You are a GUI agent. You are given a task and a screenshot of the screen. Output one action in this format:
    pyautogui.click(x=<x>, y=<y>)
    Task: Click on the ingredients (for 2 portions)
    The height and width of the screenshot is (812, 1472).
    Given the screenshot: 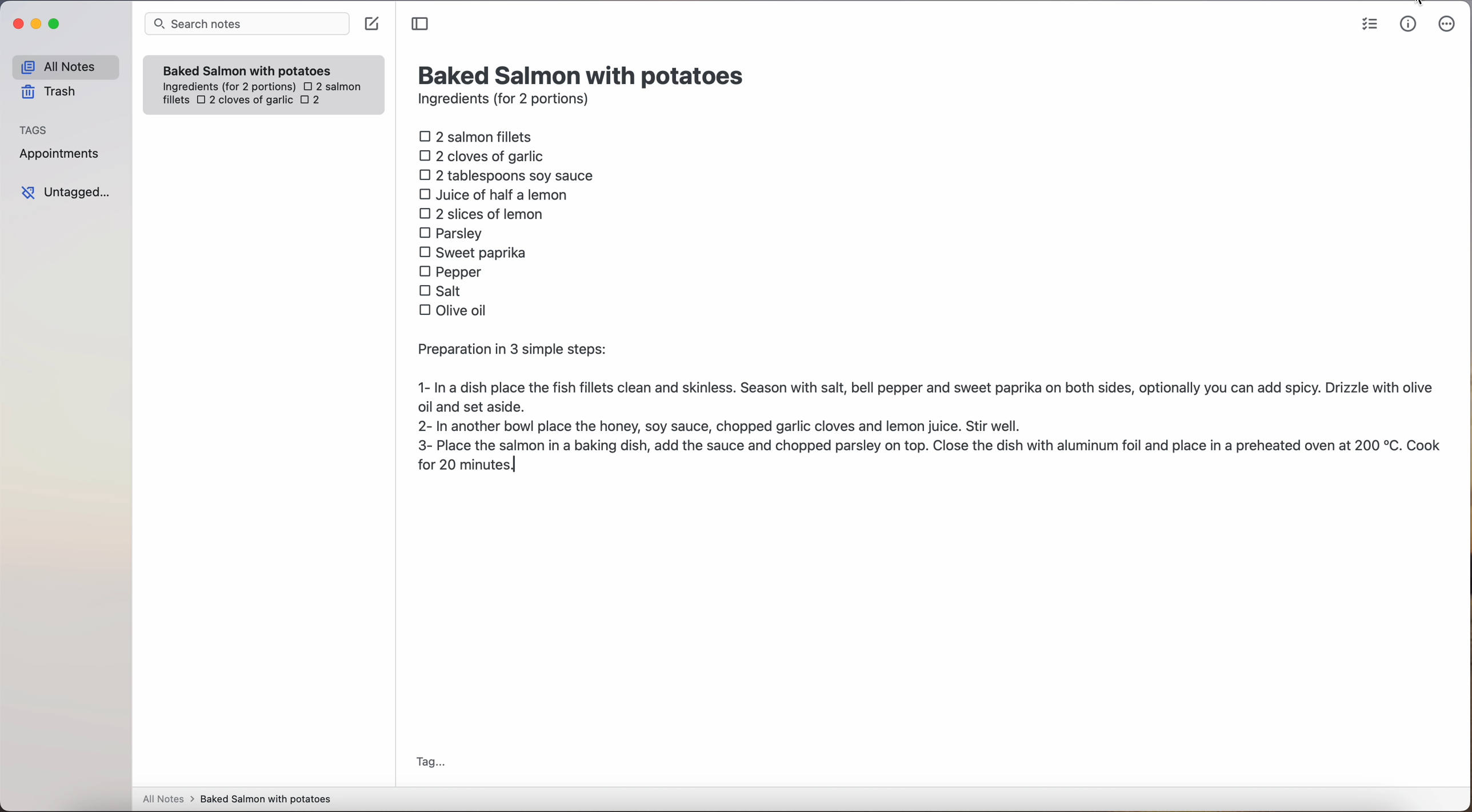 What is the action you would take?
    pyautogui.click(x=507, y=101)
    